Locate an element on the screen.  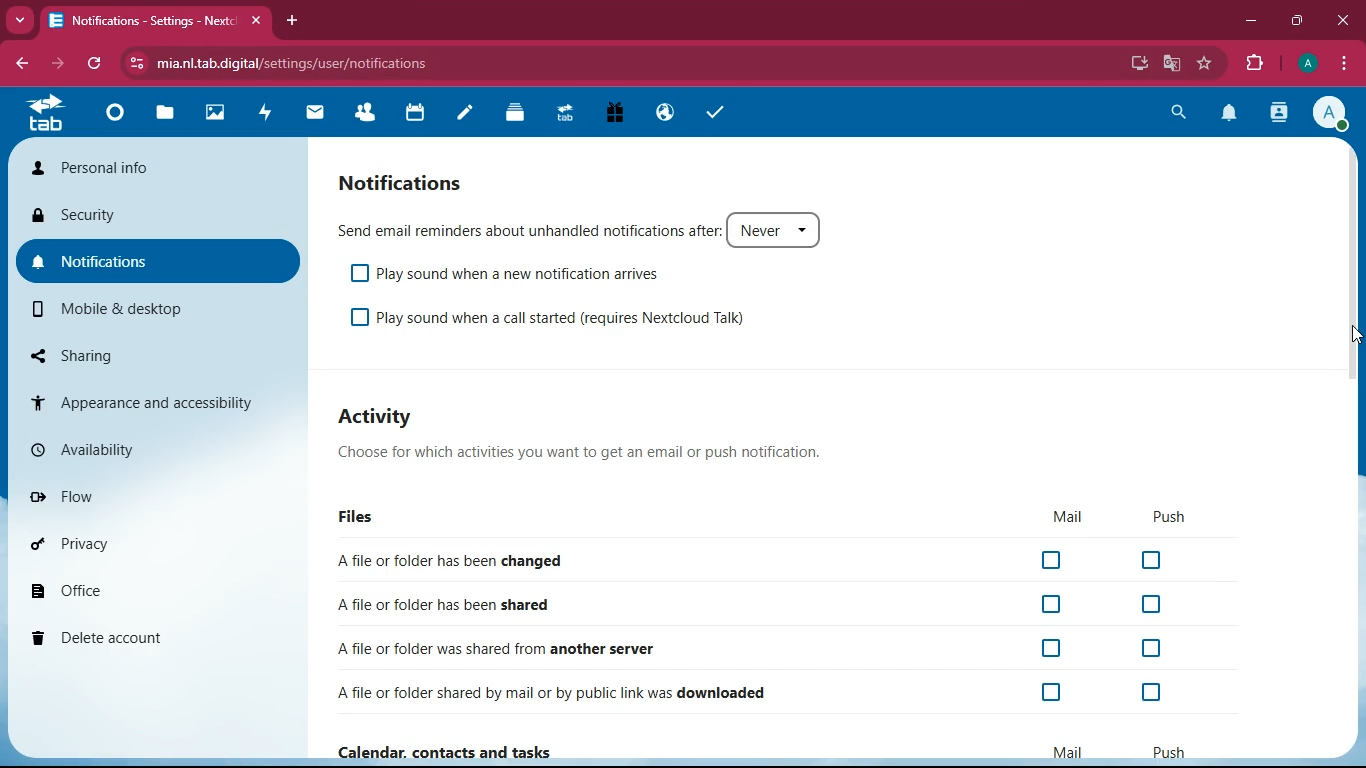
mia.nl.tab.digital/settings/user/notifications is located at coordinates (306, 64).